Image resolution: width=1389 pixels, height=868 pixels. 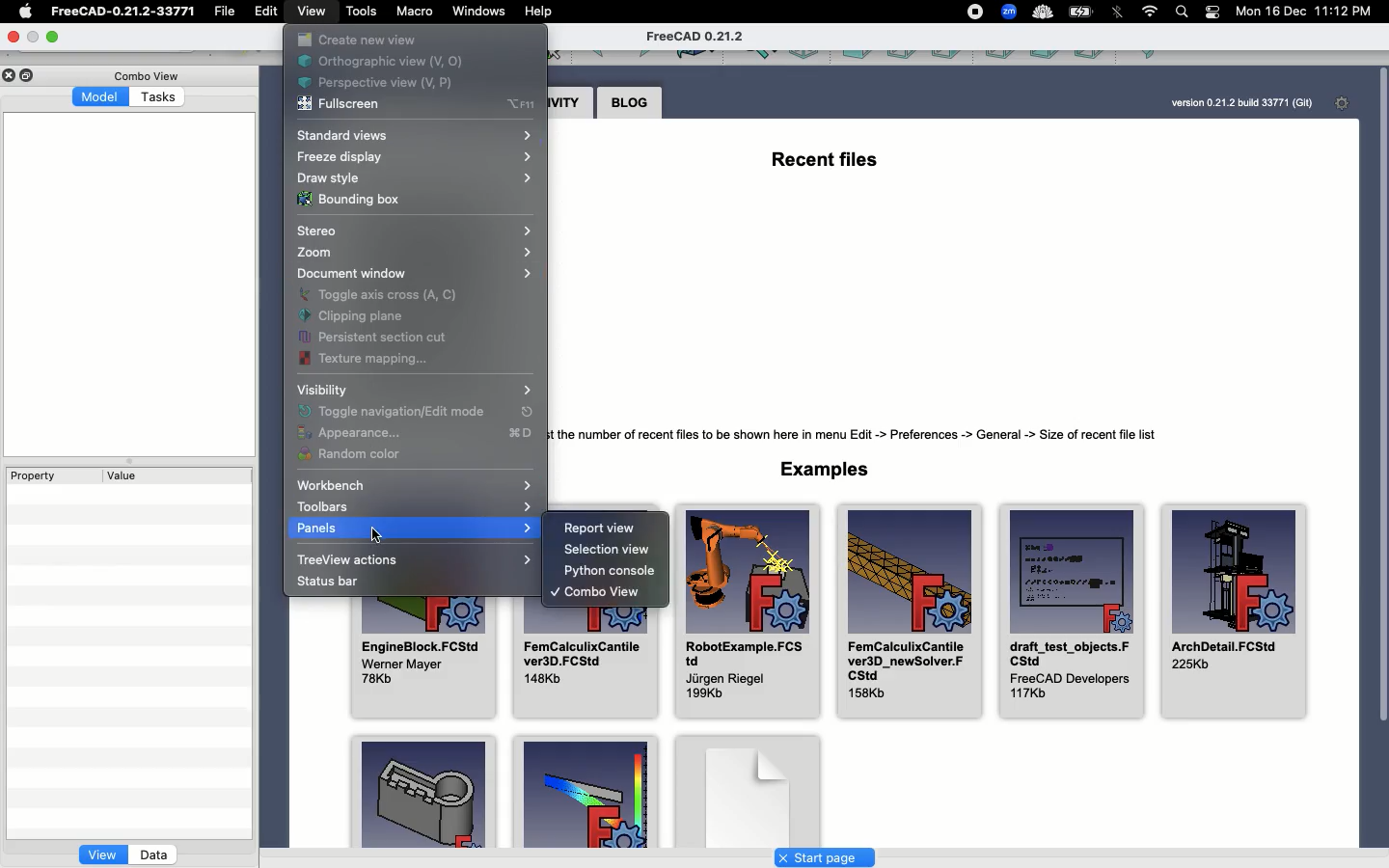 What do you see at coordinates (571, 102) in the screenshot?
I see `Activity ` at bounding box center [571, 102].